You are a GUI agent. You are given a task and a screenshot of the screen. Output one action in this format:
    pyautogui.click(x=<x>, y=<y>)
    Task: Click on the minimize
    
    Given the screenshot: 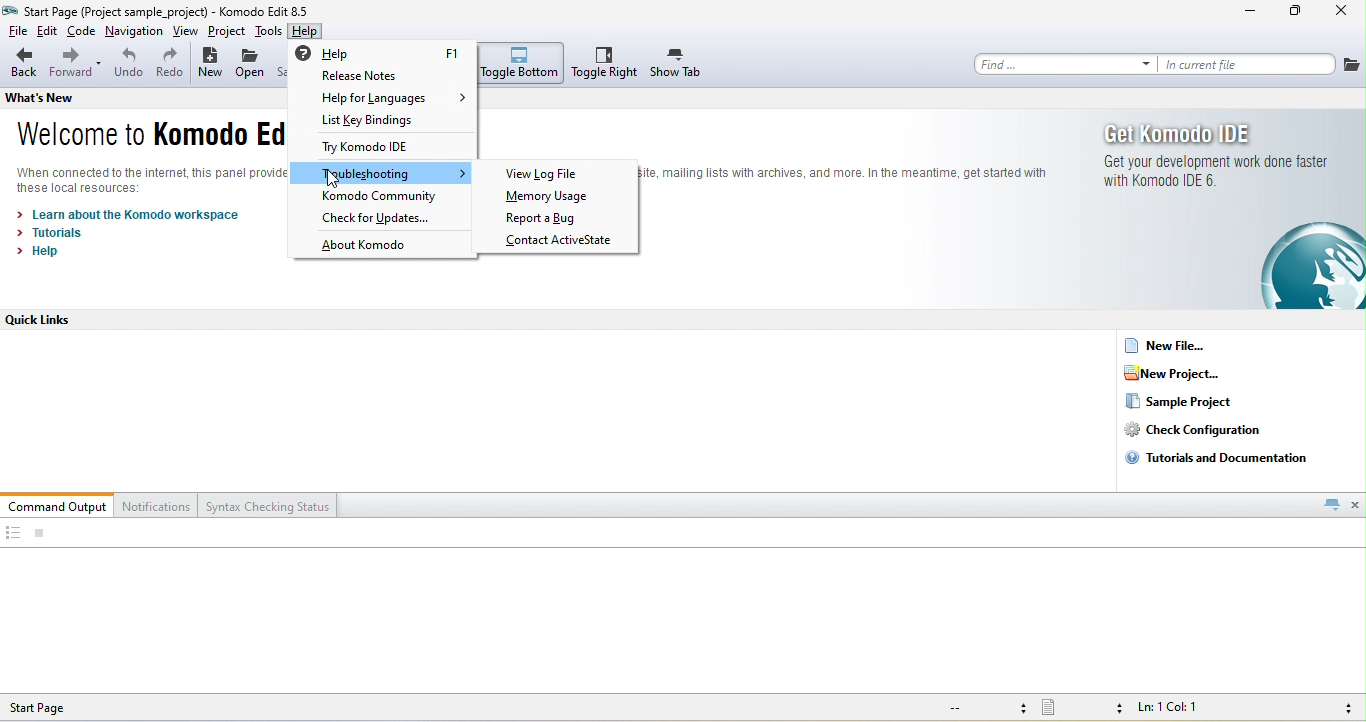 What is the action you would take?
    pyautogui.click(x=1250, y=13)
    